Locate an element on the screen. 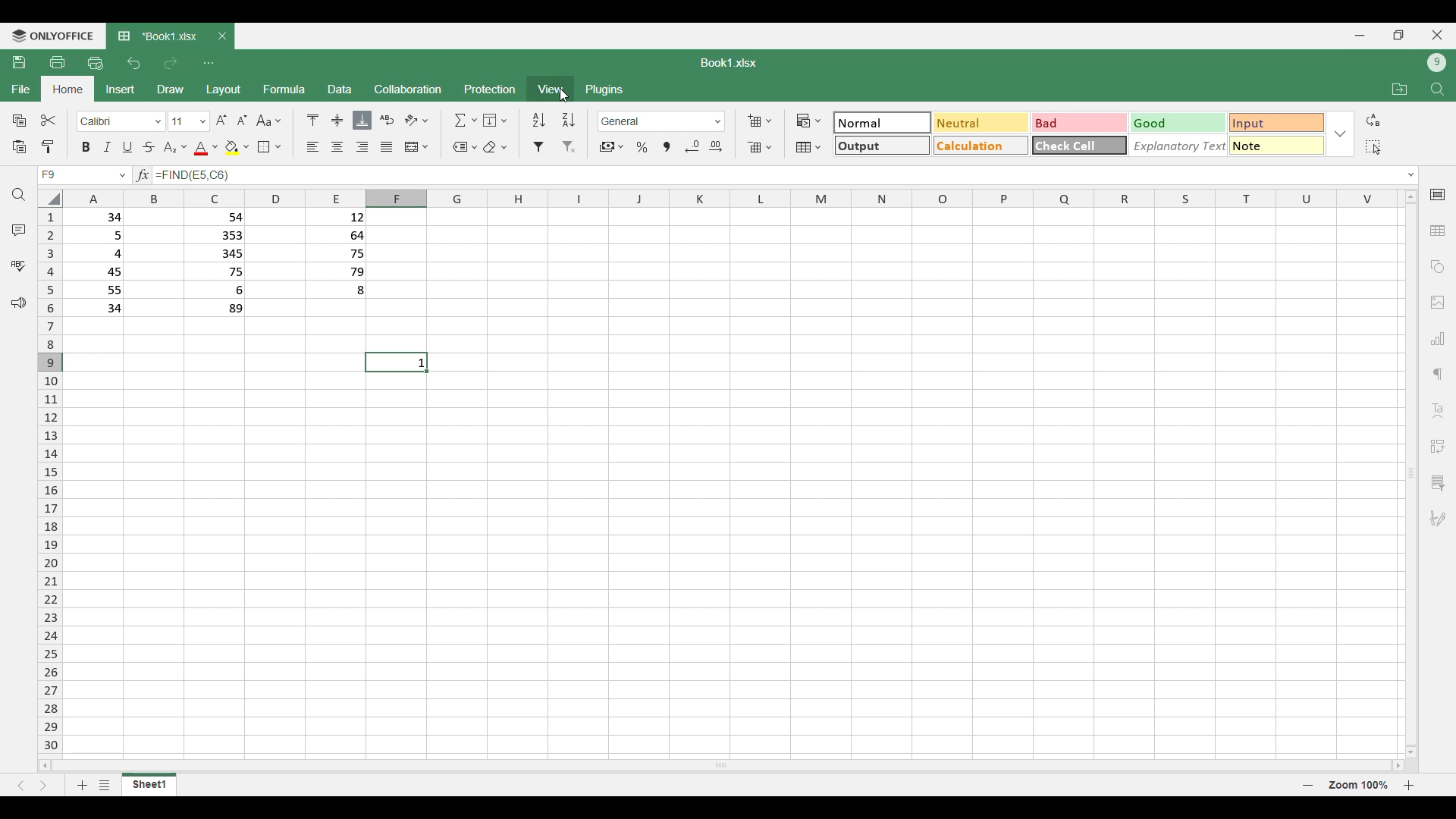 This screenshot has width=1456, height=819. Note cell is located at coordinates (1278, 146).